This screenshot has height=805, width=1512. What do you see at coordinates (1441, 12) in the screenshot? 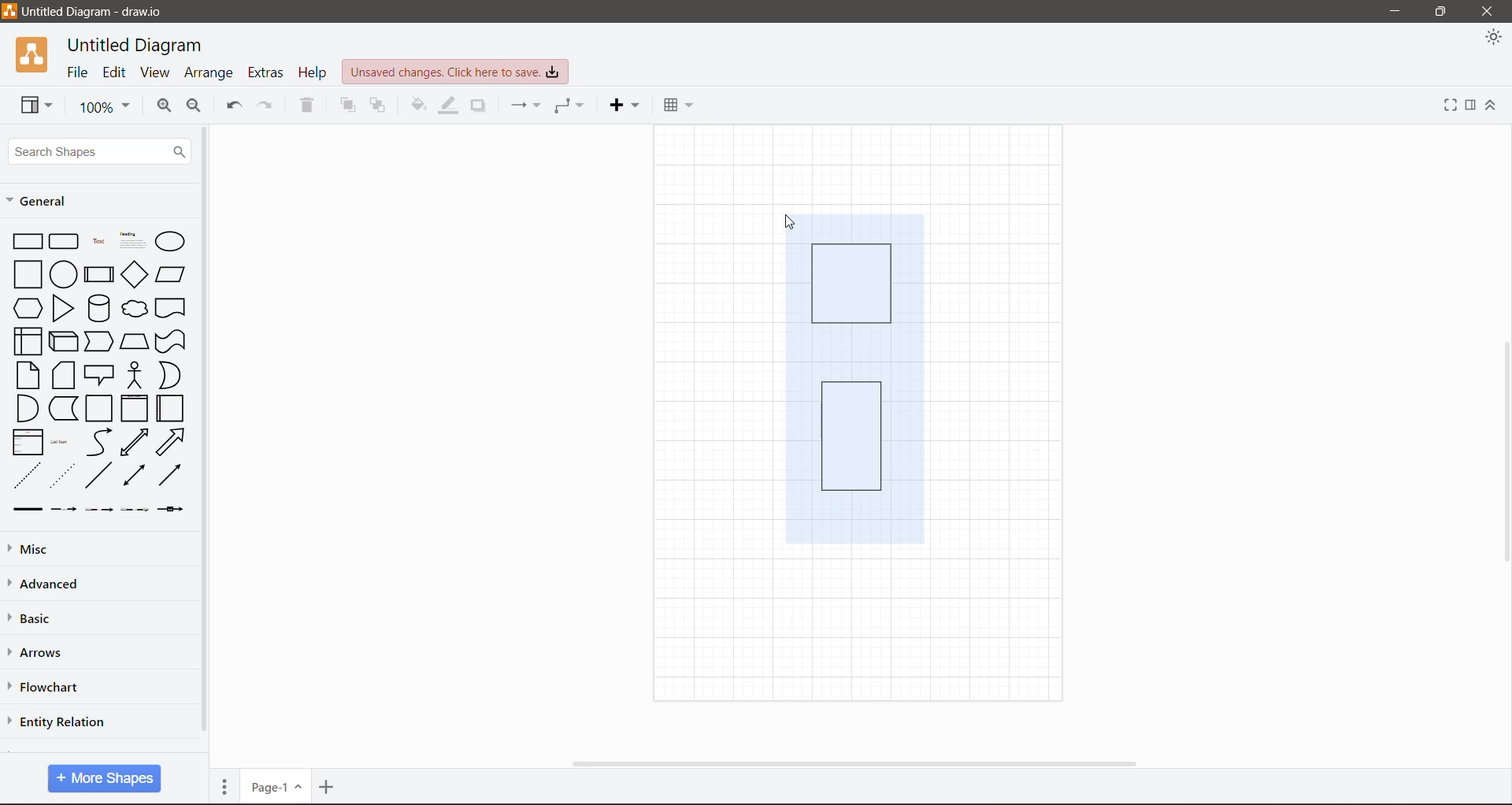
I see `Restore Down` at bounding box center [1441, 12].